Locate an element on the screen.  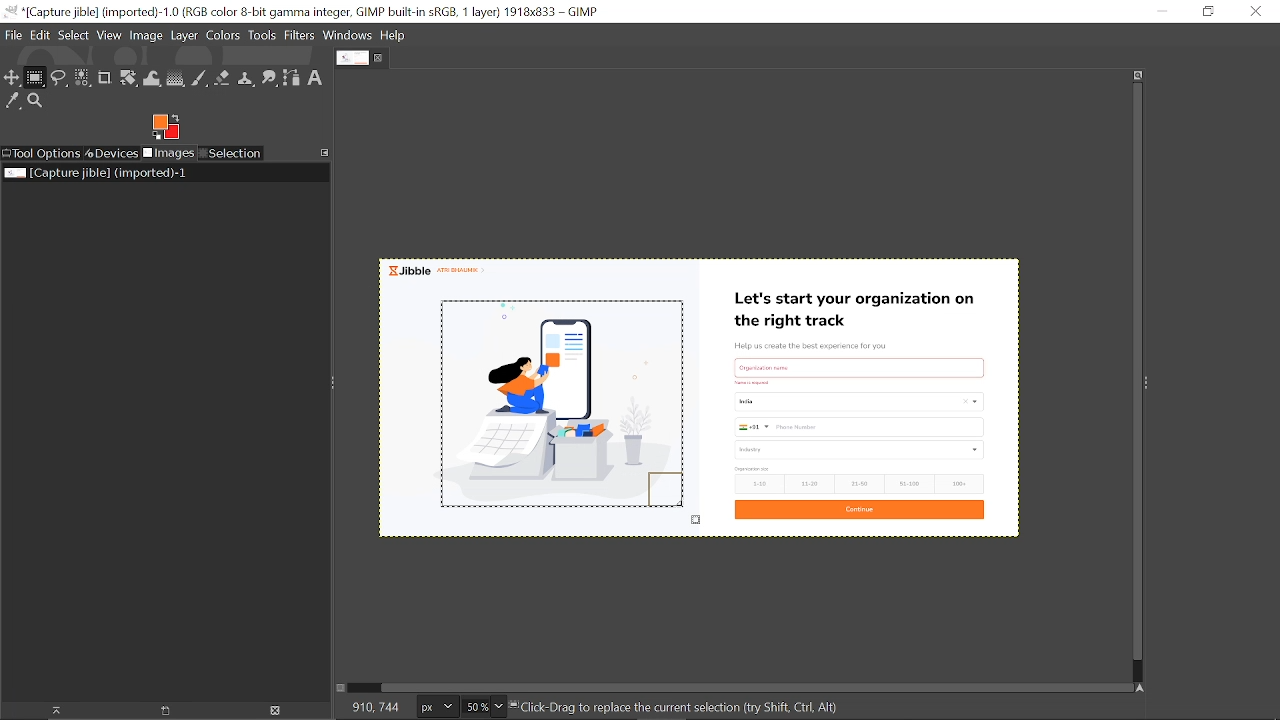
Select is located at coordinates (74, 35).